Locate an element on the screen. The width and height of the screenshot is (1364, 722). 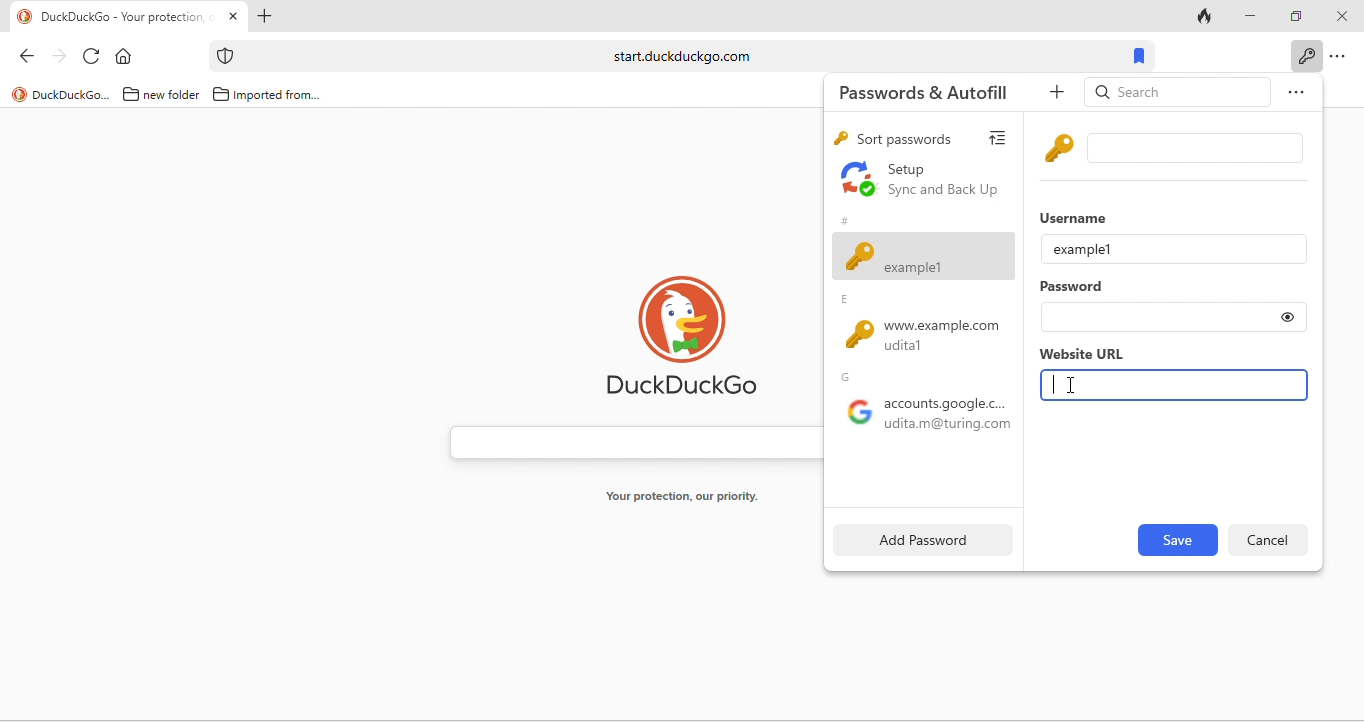
passwords and autofill is located at coordinates (936, 91).